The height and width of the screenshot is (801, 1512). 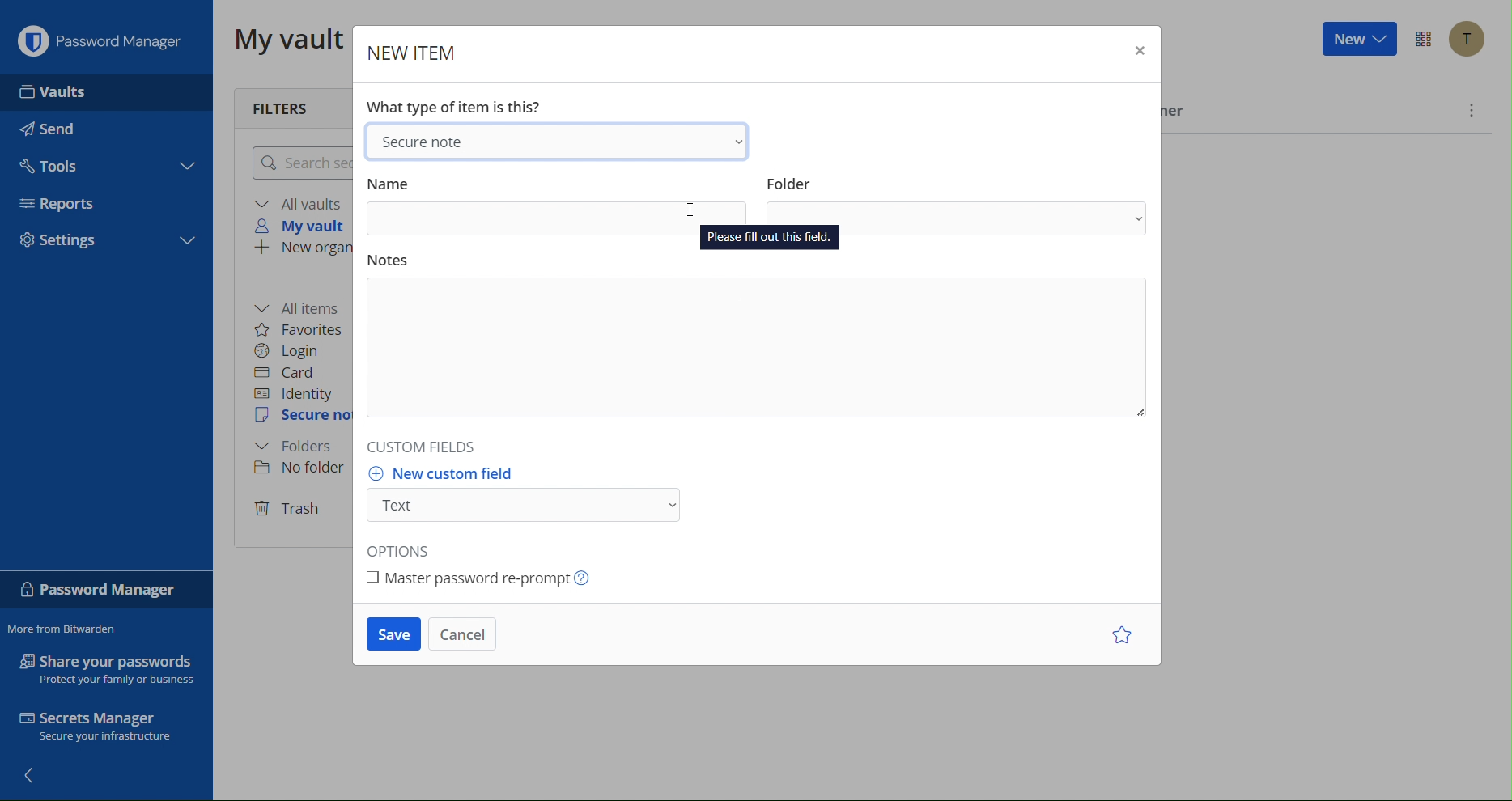 I want to click on Settings, so click(x=65, y=239).